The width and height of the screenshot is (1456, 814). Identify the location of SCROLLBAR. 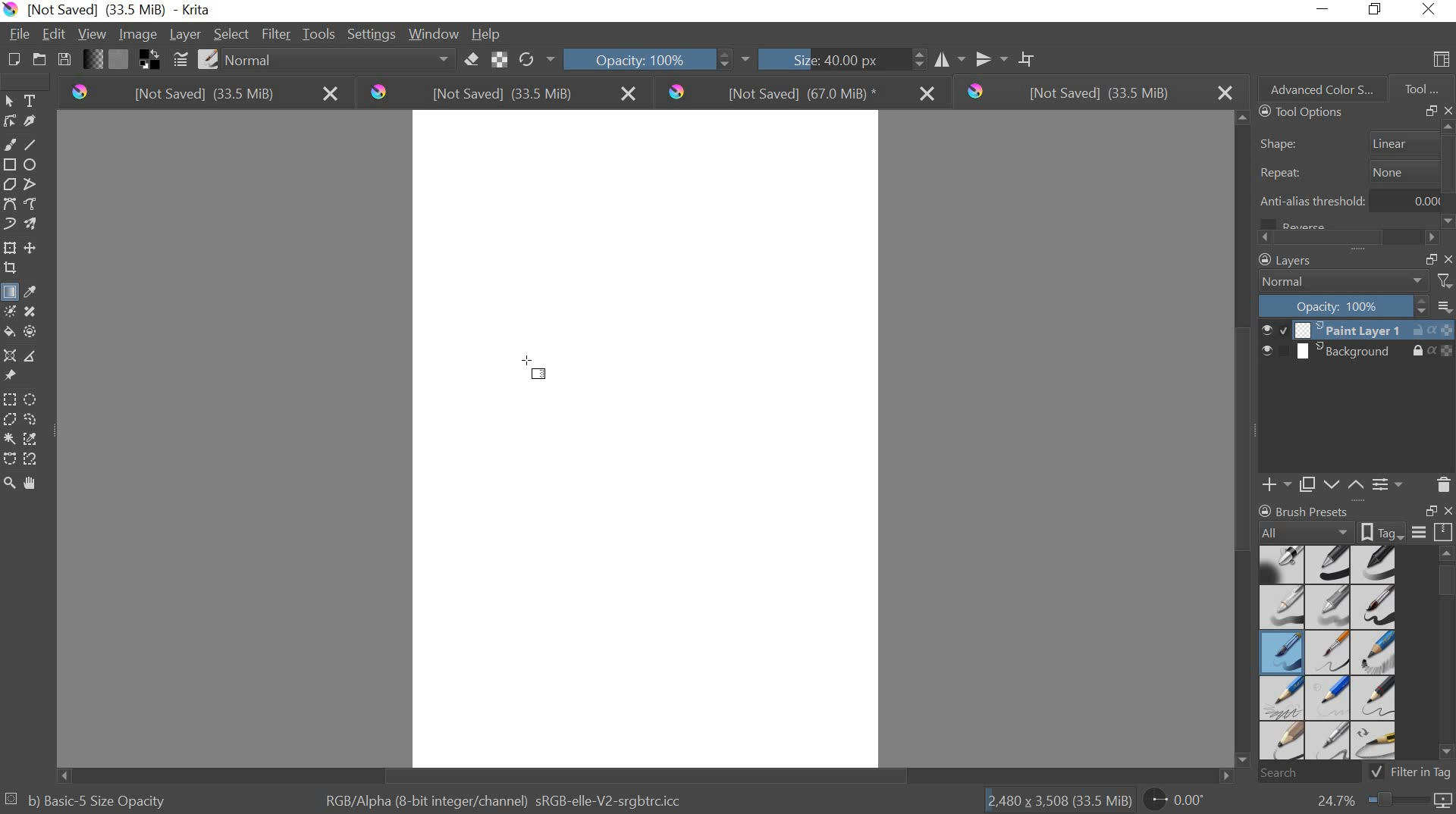
(1353, 238).